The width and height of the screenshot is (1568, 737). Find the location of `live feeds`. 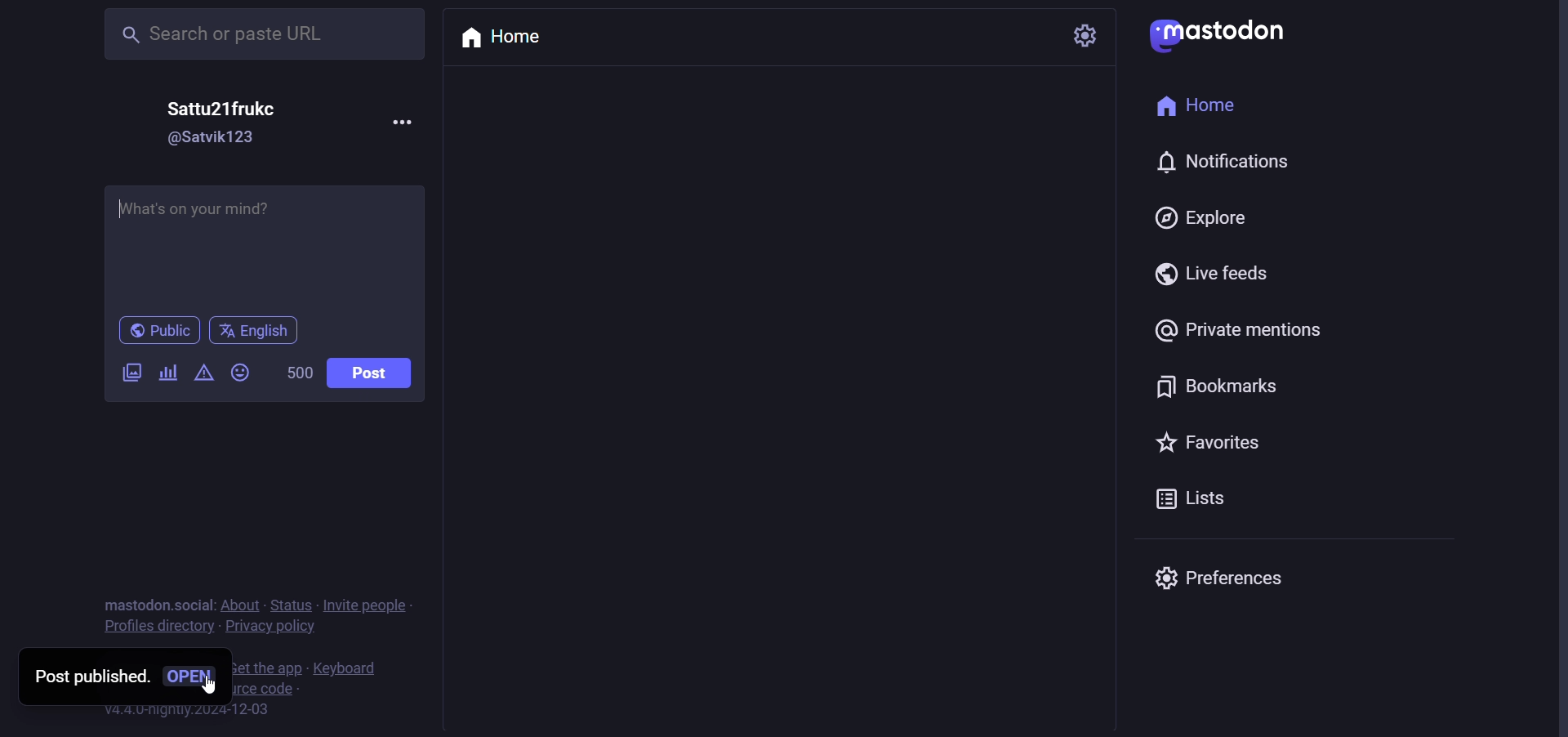

live feeds is located at coordinates (1213, 274).